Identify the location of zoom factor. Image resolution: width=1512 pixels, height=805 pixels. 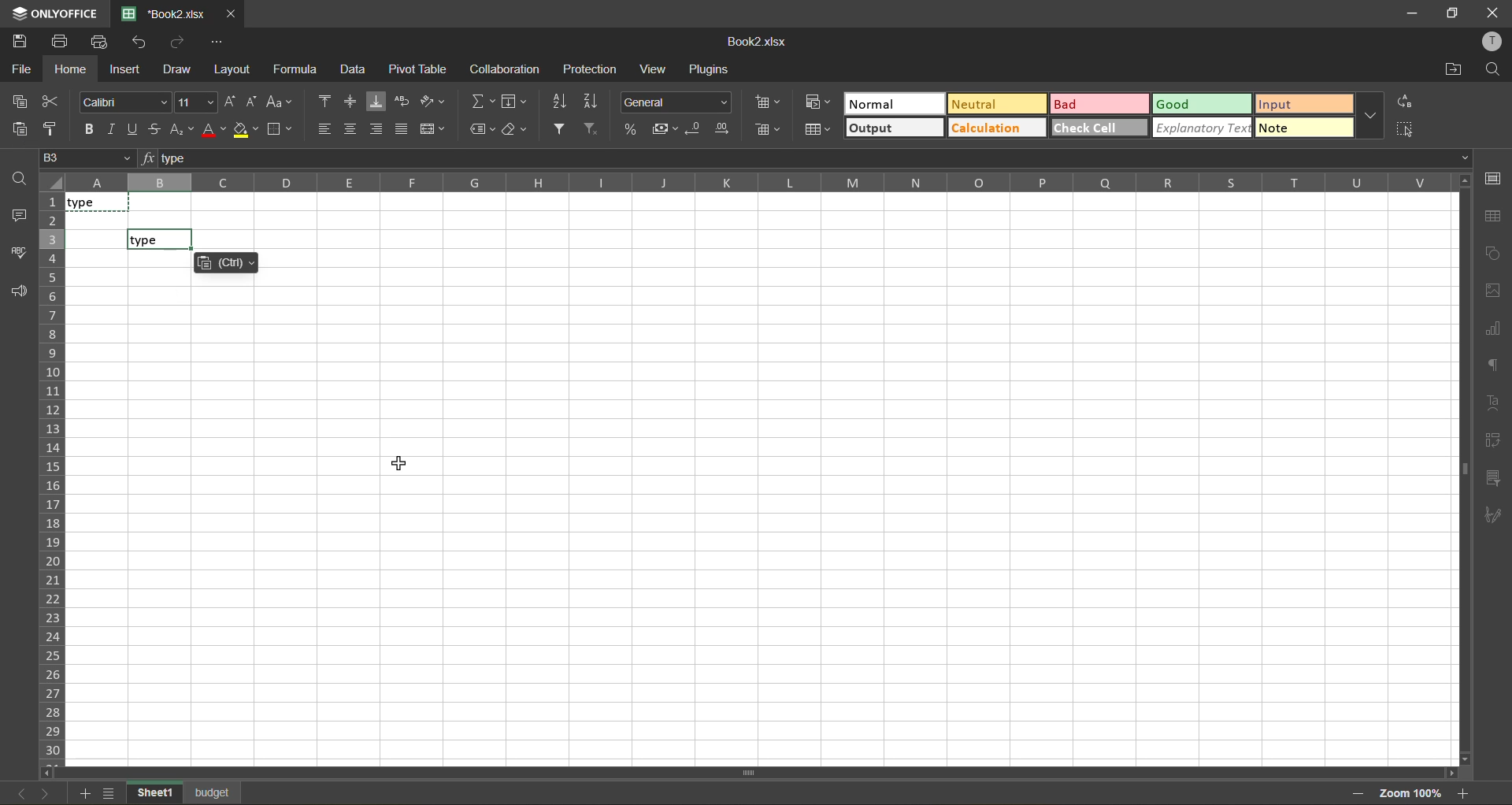
(1411, 792).